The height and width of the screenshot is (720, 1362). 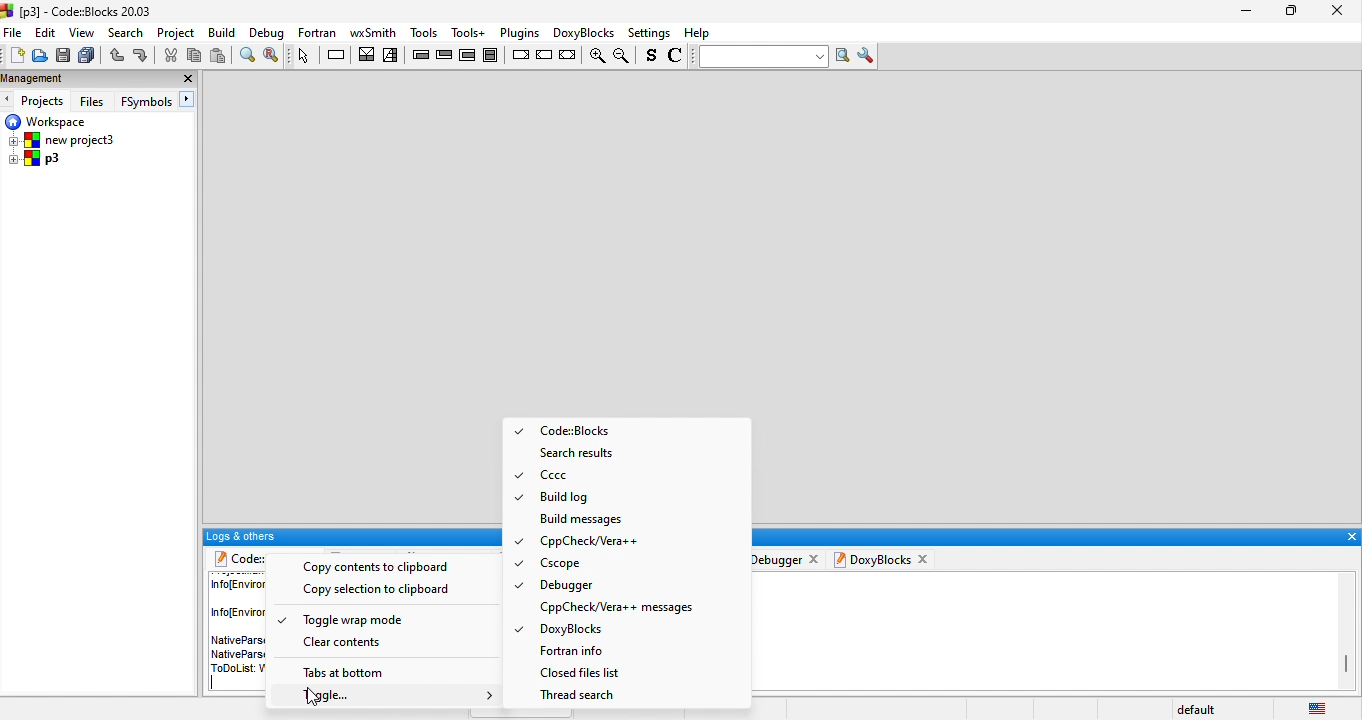 I want to click on replace, so click(x=273, y=56).